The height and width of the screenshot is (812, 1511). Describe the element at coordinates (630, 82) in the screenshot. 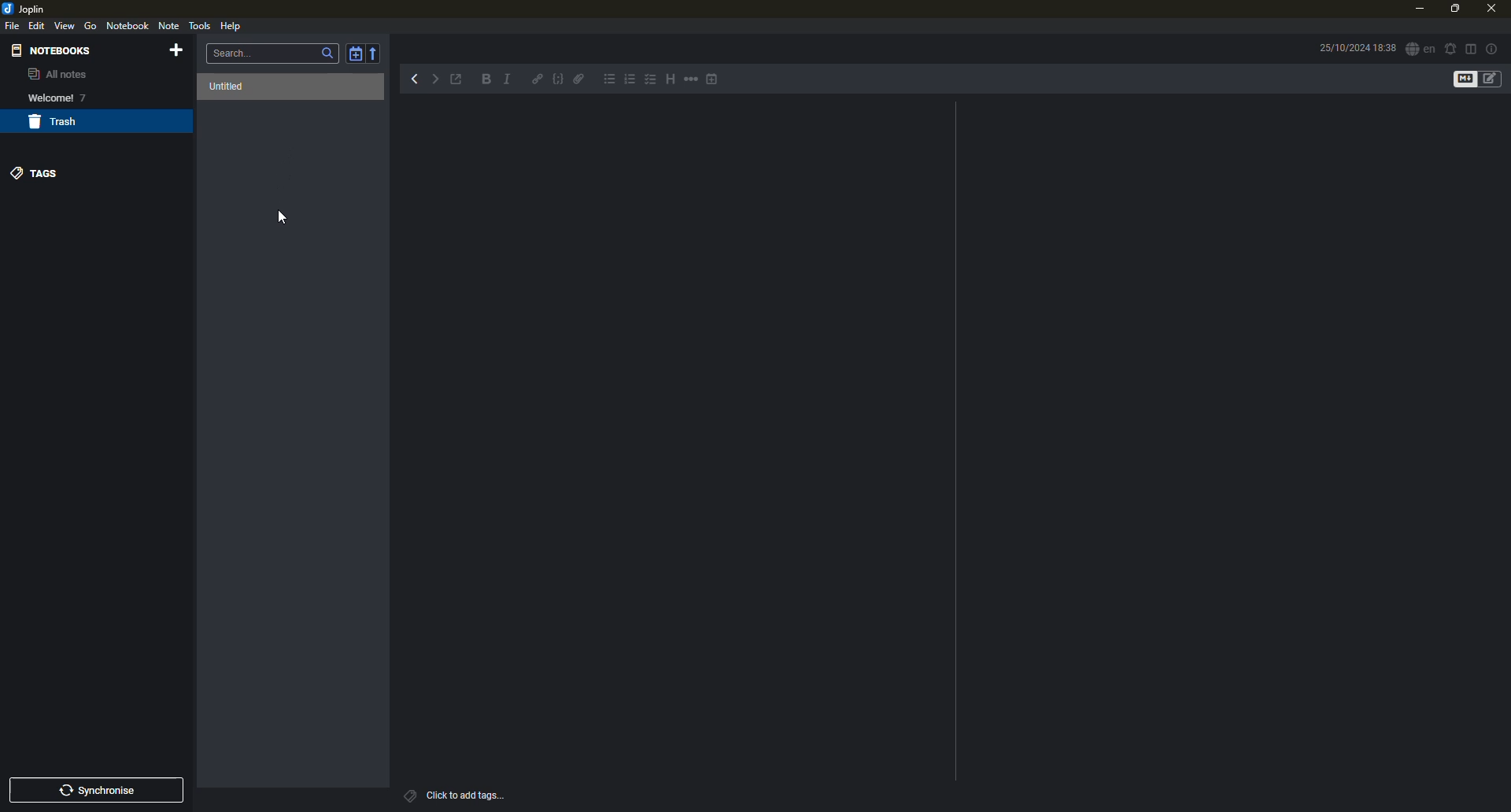

I see `numbered list` at that location.